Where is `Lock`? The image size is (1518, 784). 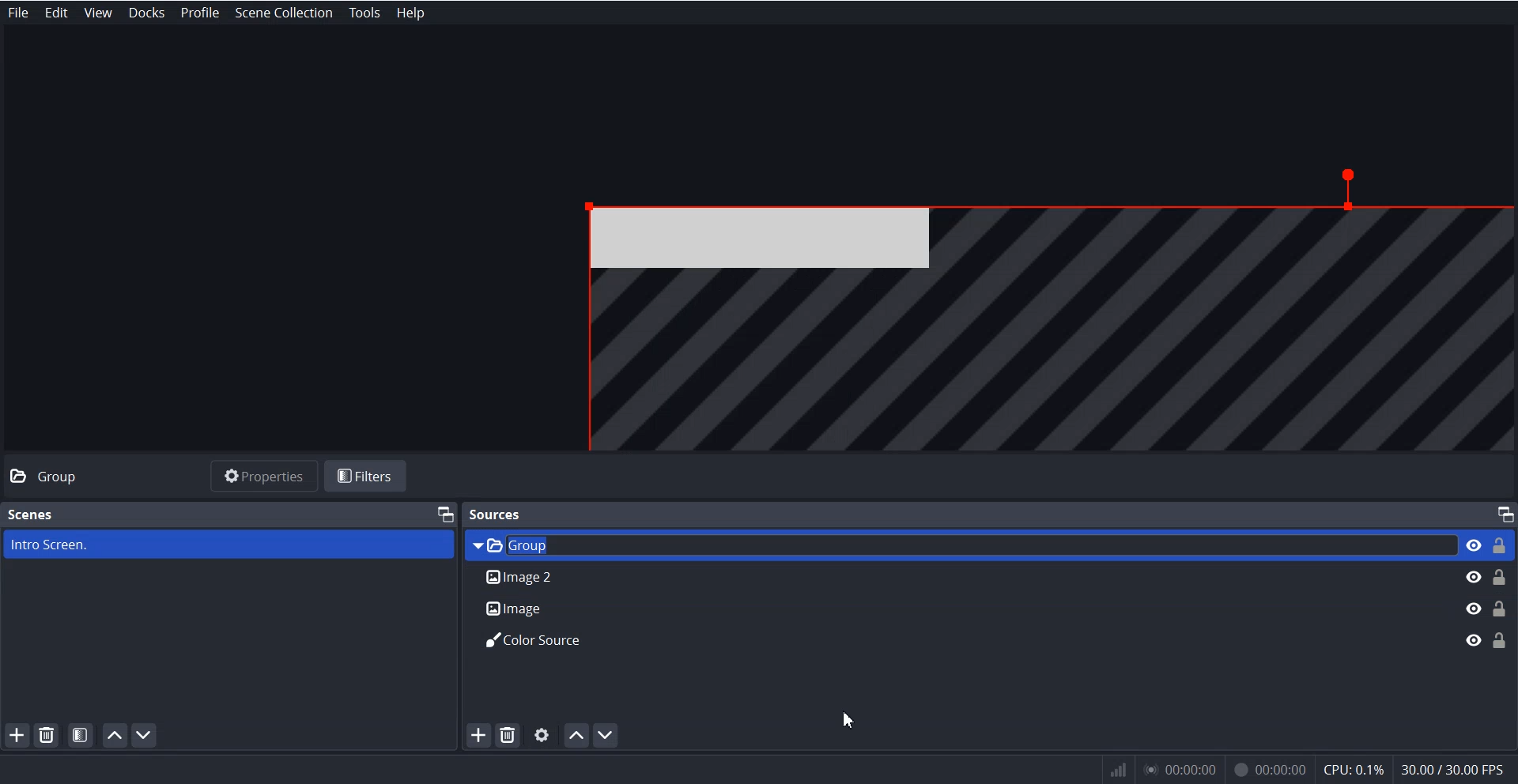 Lock is located at coordinates (1499, 593).